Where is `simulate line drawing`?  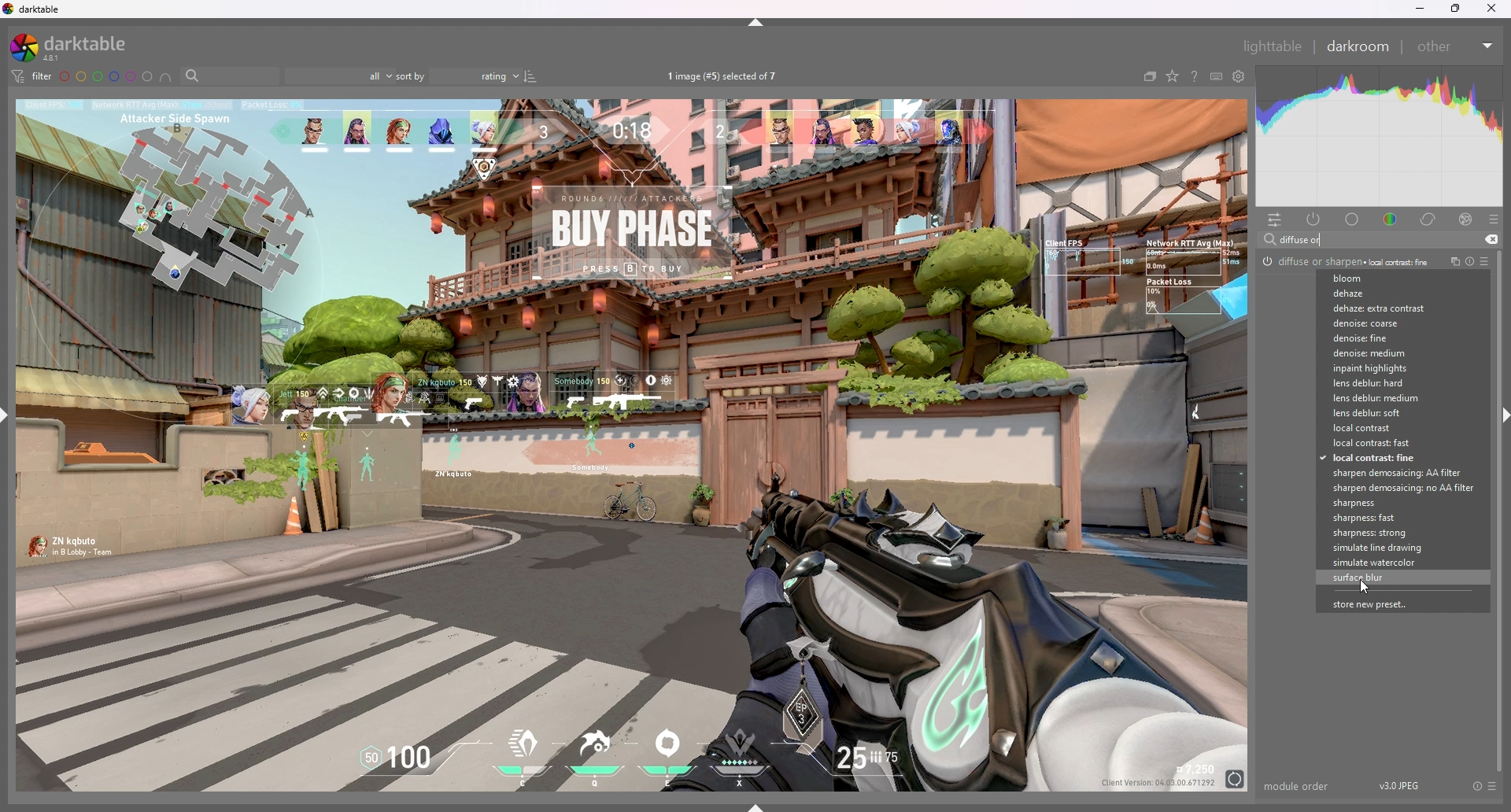
simulate line drawing is located at coordinates (1400, 548).